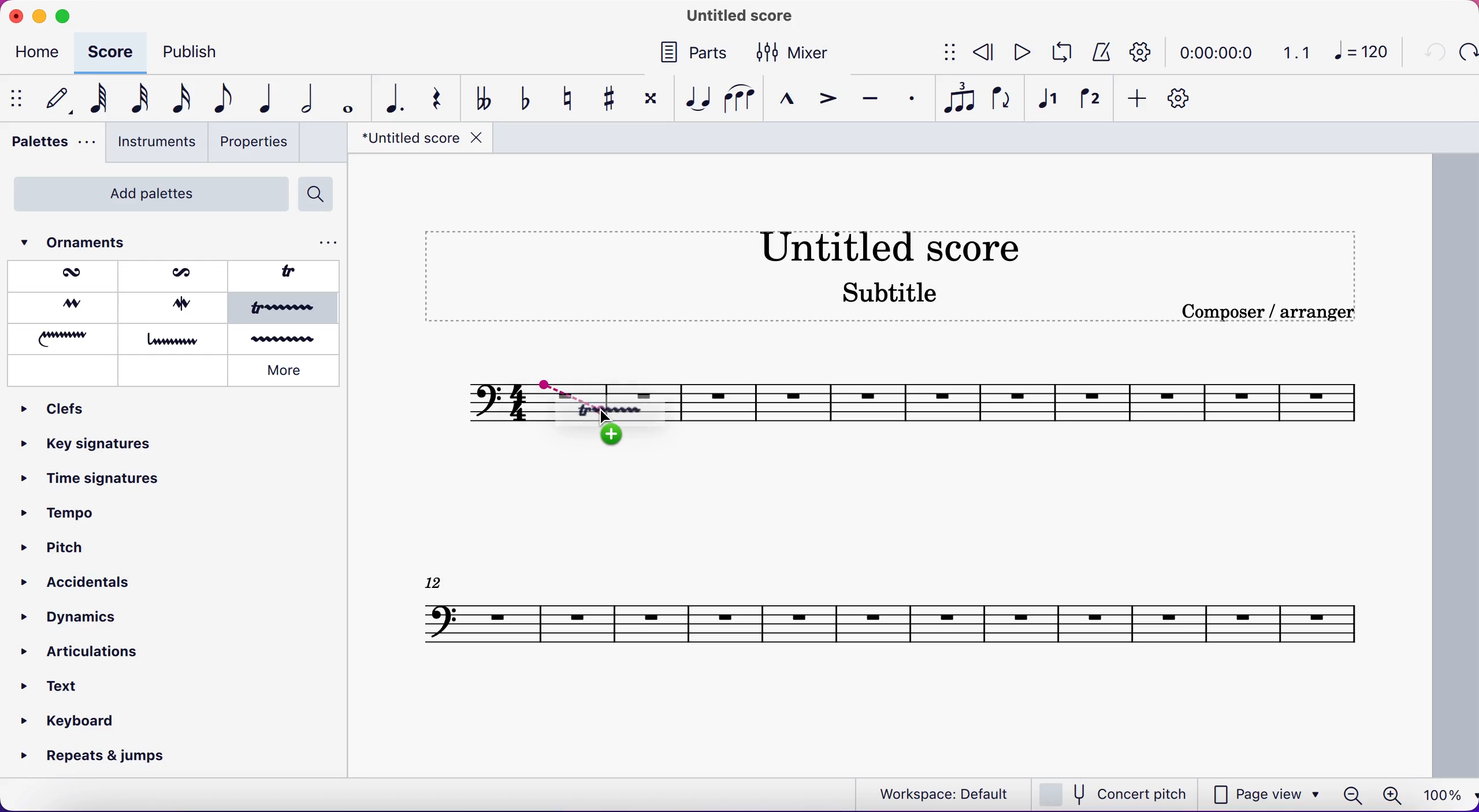 Image resolution: width=1479 pixels, height=812 pixels. Describe the element at coordinates (1467, 53) in the screenshot. I see `redo` at that location.